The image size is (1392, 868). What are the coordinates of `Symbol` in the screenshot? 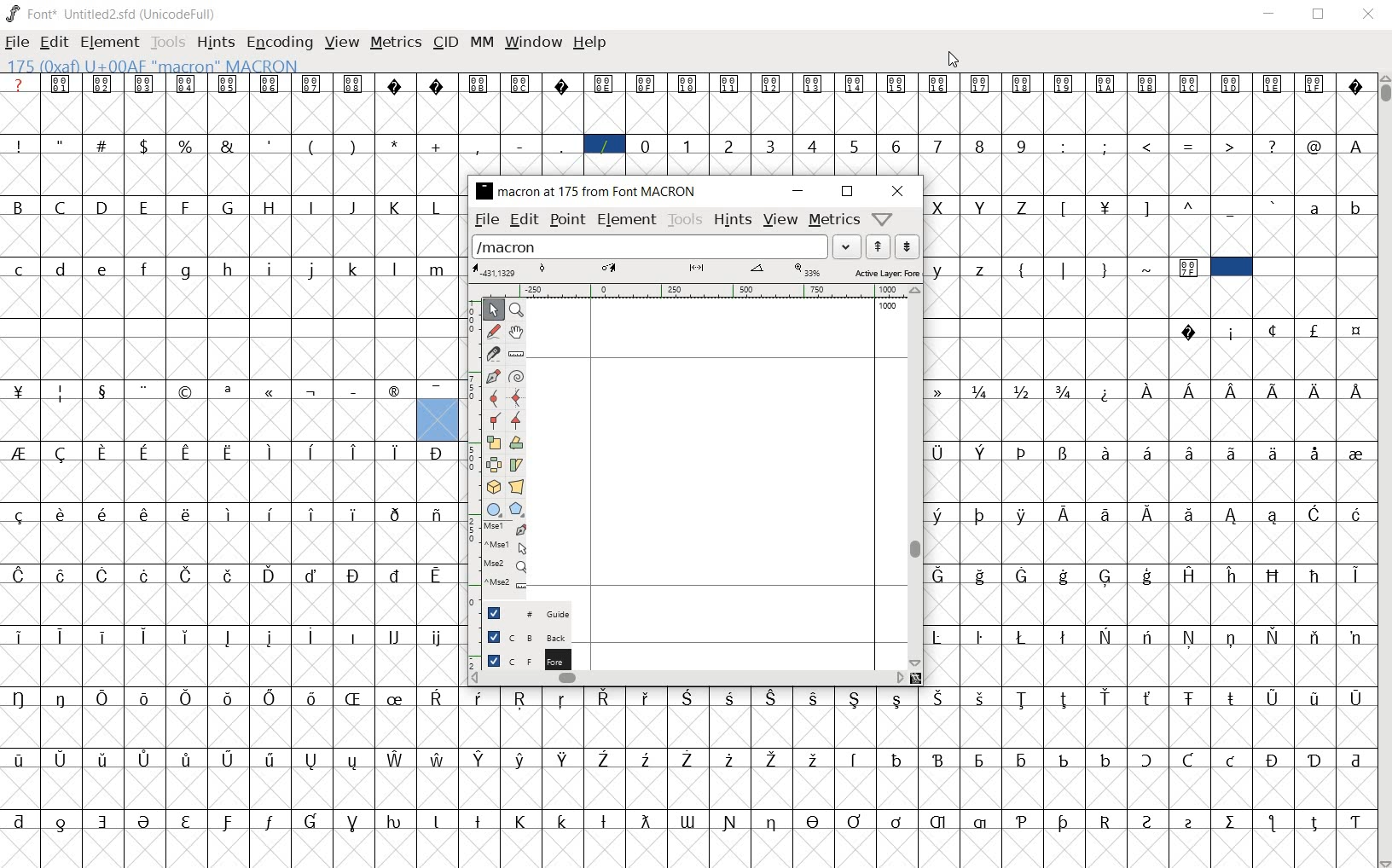 It's located at (146, 820).